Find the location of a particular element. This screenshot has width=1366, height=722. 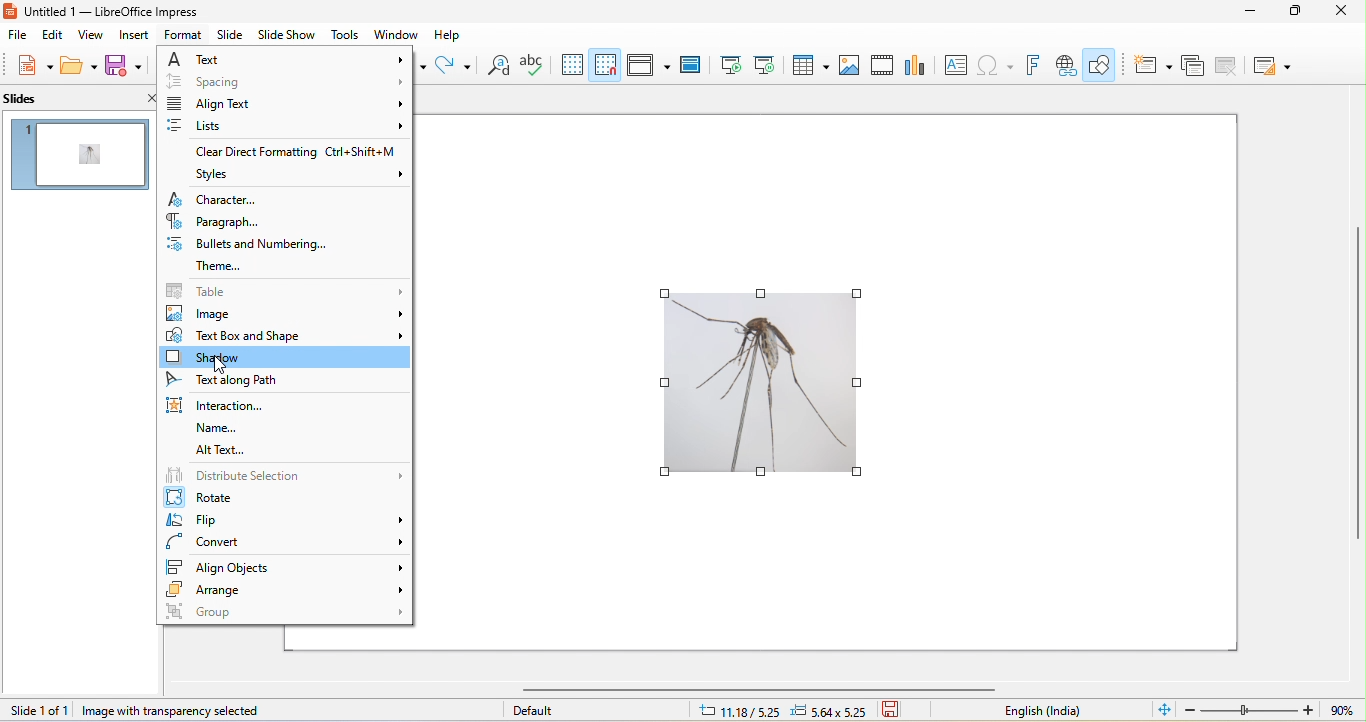

find and replace is located at coordinates (498, 64).